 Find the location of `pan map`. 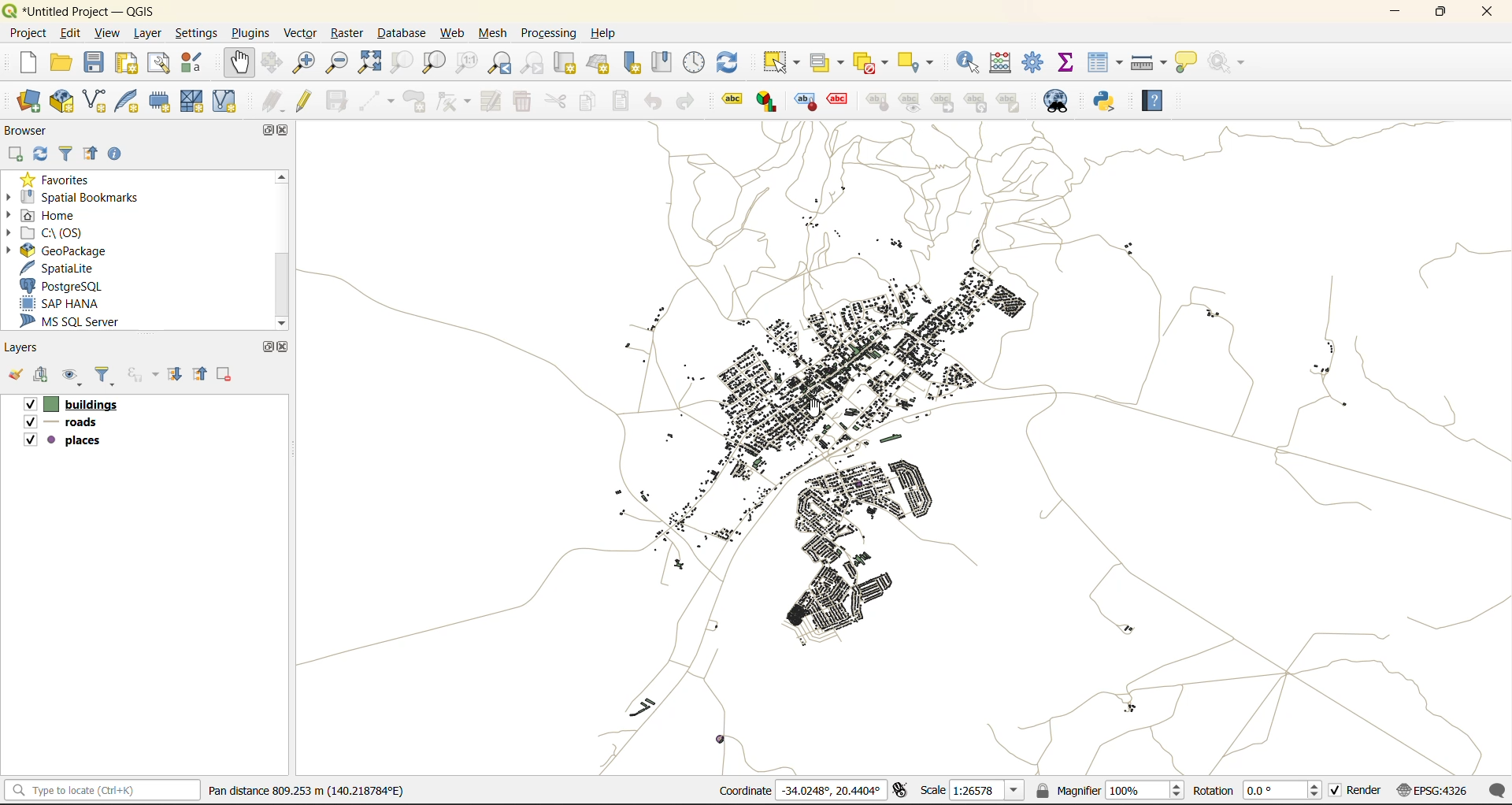

pan map is located at coordinates (235, 61).